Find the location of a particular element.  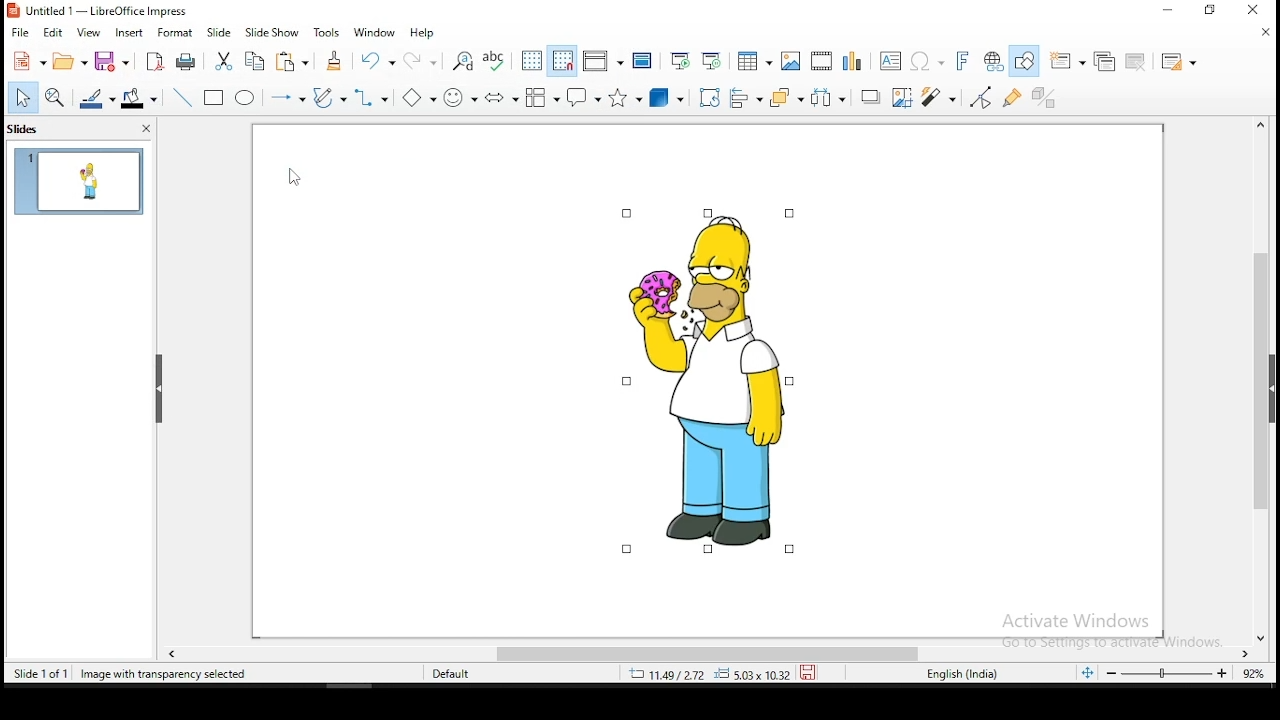

lines and arrows is located at coordinates (289, 99).